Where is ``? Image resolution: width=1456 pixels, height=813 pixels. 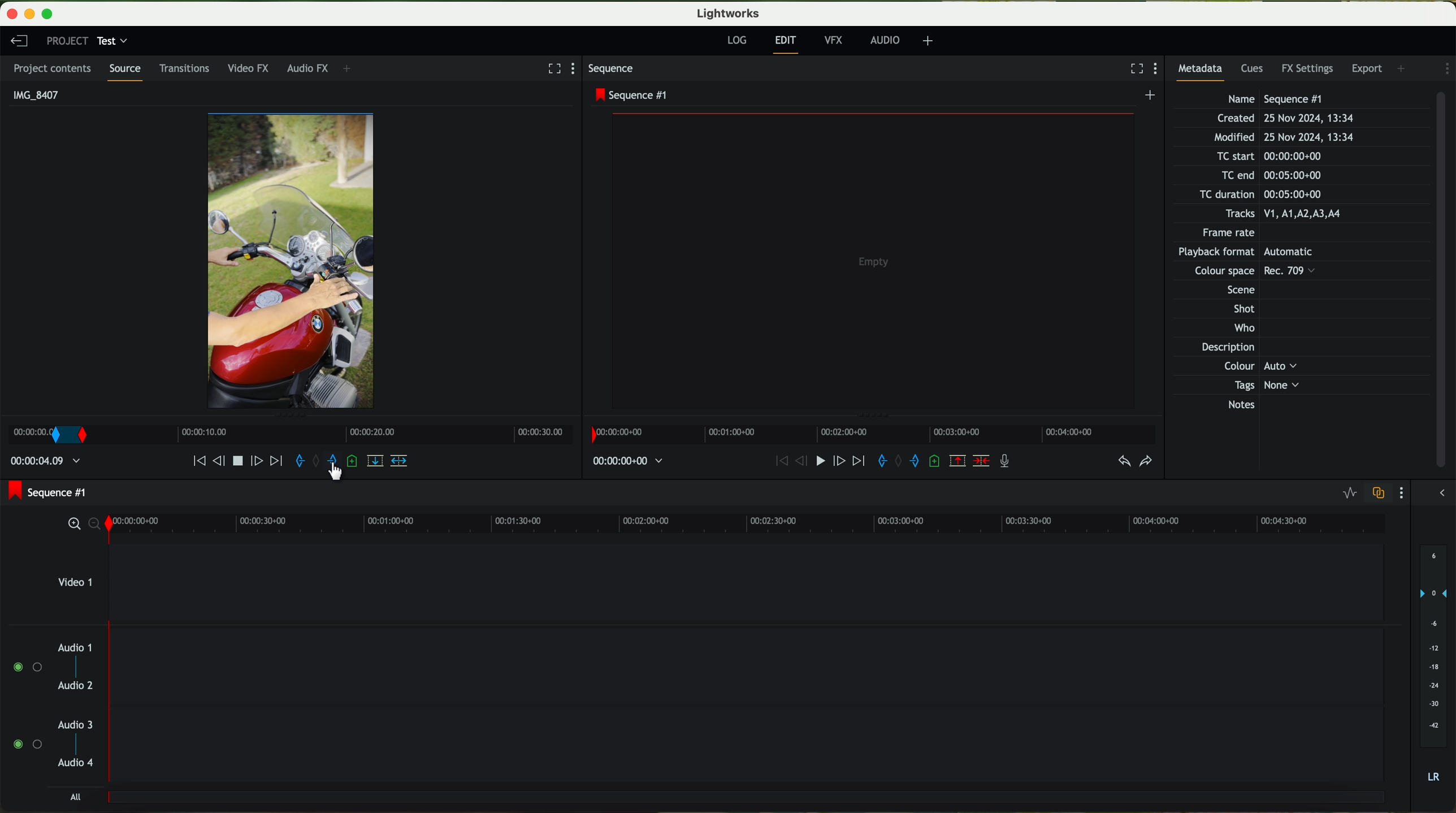  is located at coordinates (1258, 366).